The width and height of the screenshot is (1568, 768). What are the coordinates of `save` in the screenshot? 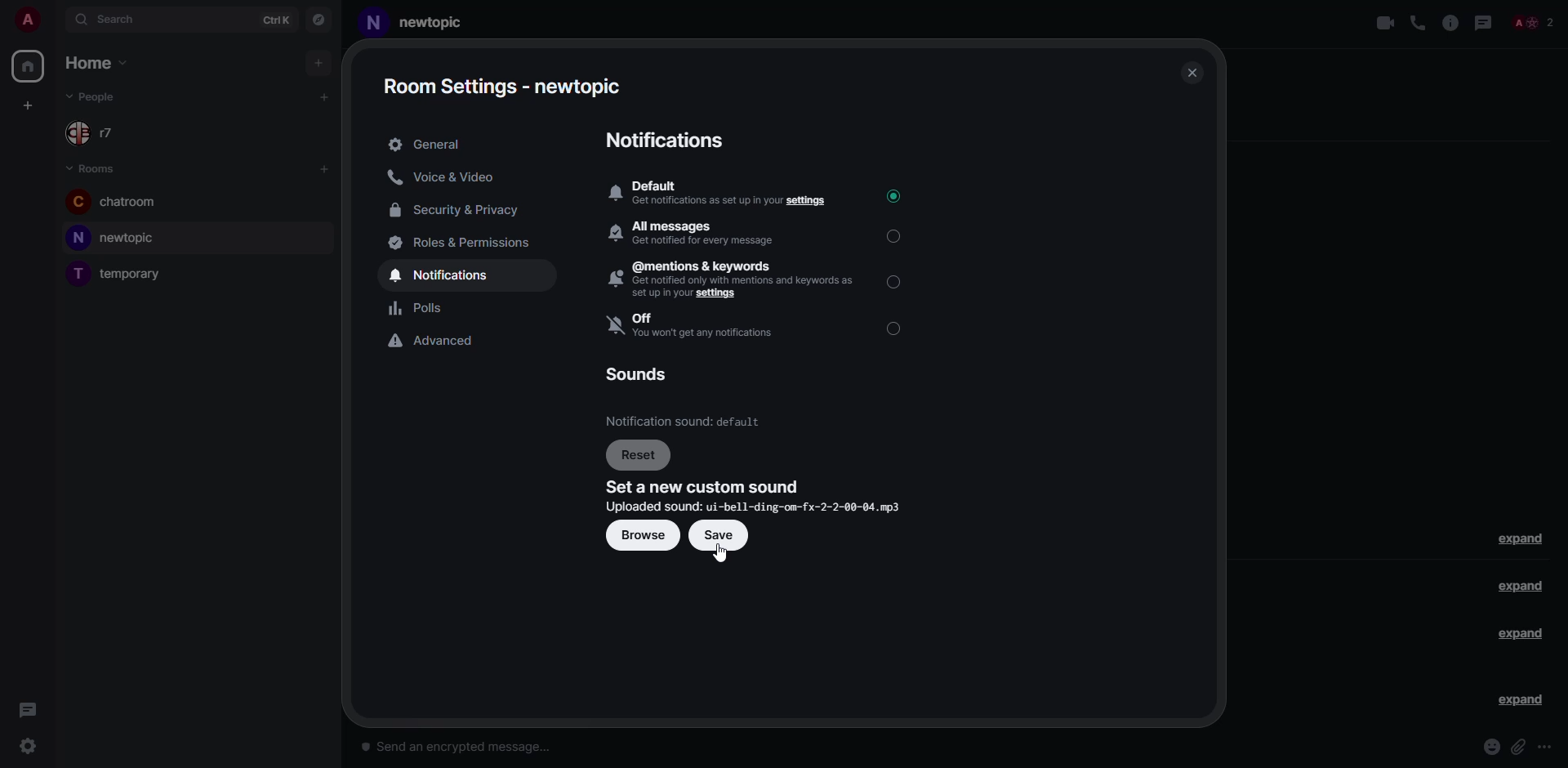 It's located at (720, 535).